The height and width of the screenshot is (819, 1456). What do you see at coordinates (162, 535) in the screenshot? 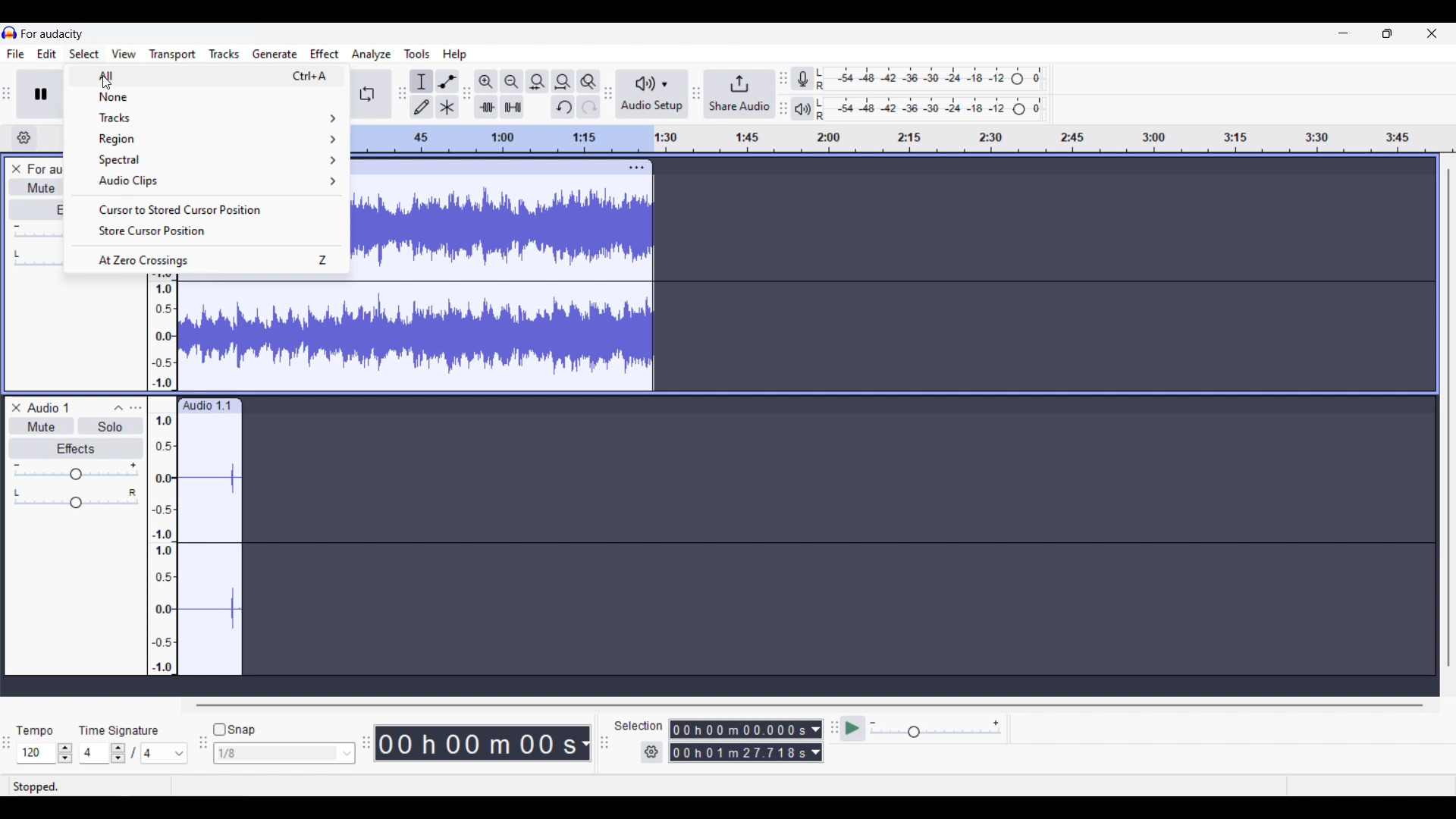
I see `amplitude` at bounding box center [162, 535].